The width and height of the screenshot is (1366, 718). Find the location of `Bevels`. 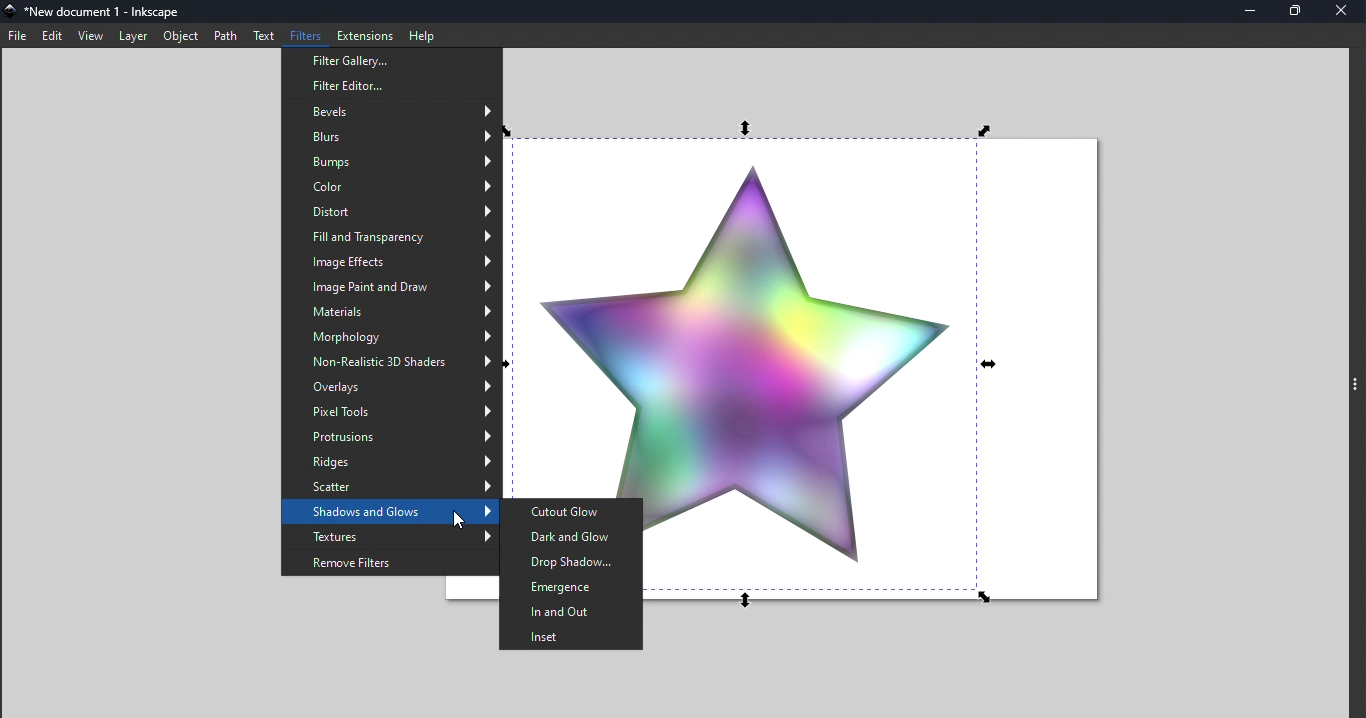

Bevels is located at coordinates (392, 111).